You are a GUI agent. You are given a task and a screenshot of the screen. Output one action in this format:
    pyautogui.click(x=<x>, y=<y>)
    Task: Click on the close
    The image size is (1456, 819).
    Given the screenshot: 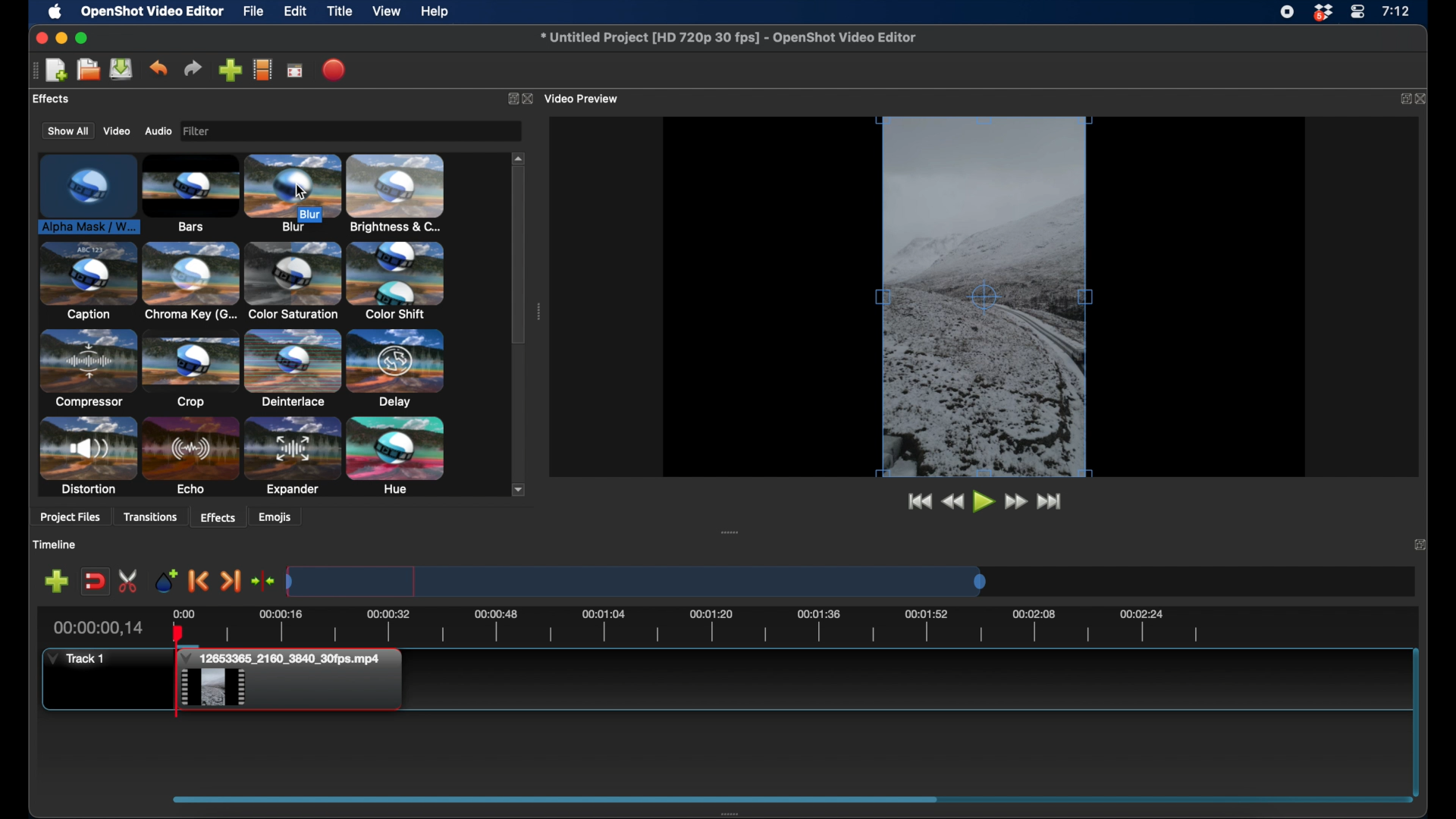 What is the action you would take?
    pyautogui.click(x=40, y=38)
    